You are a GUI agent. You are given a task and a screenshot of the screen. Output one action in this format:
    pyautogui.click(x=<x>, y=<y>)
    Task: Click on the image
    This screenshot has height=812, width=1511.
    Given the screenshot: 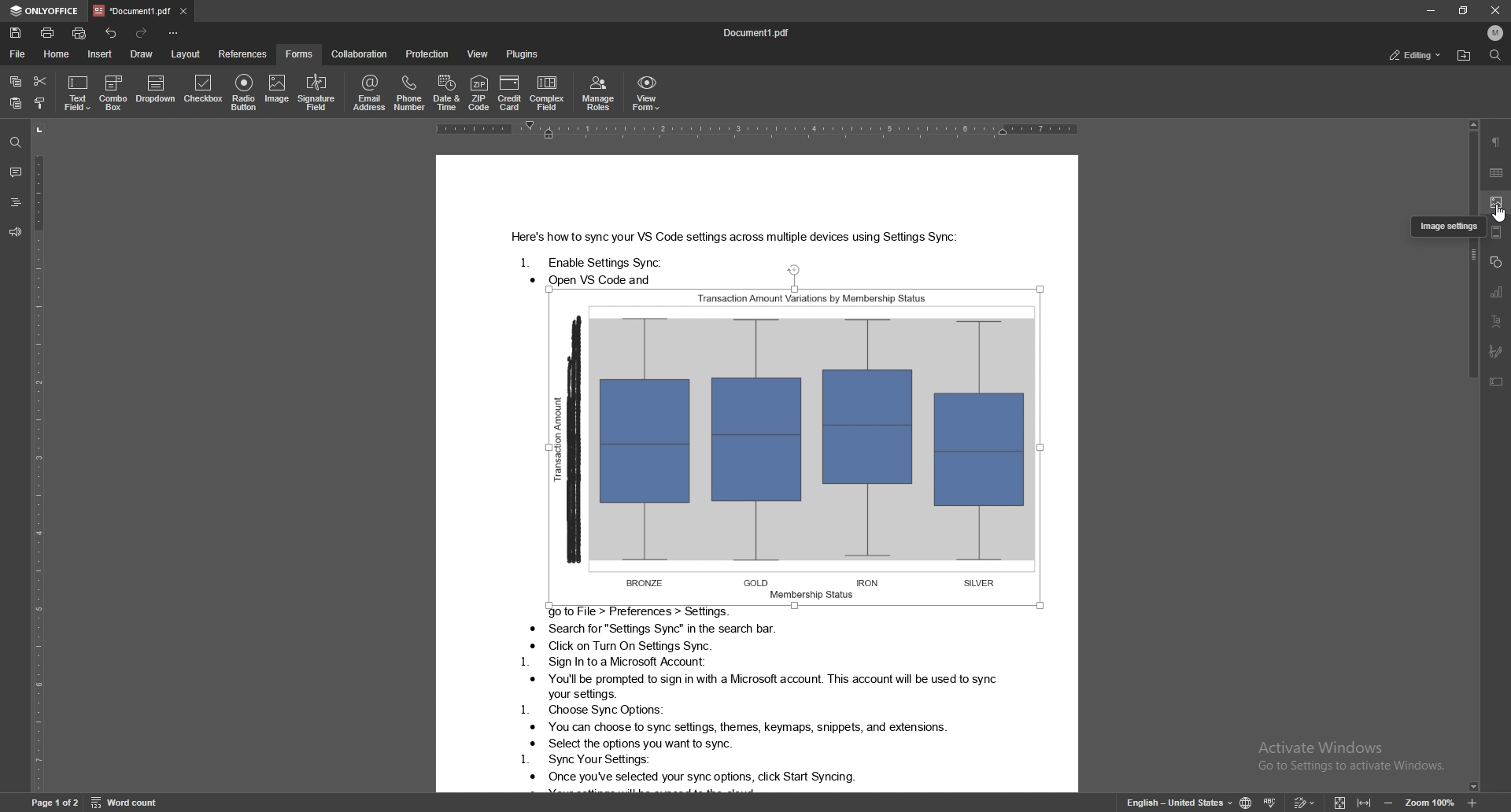 What is the action you would take?
    pyautogui.click(x=1496, y=201)
    